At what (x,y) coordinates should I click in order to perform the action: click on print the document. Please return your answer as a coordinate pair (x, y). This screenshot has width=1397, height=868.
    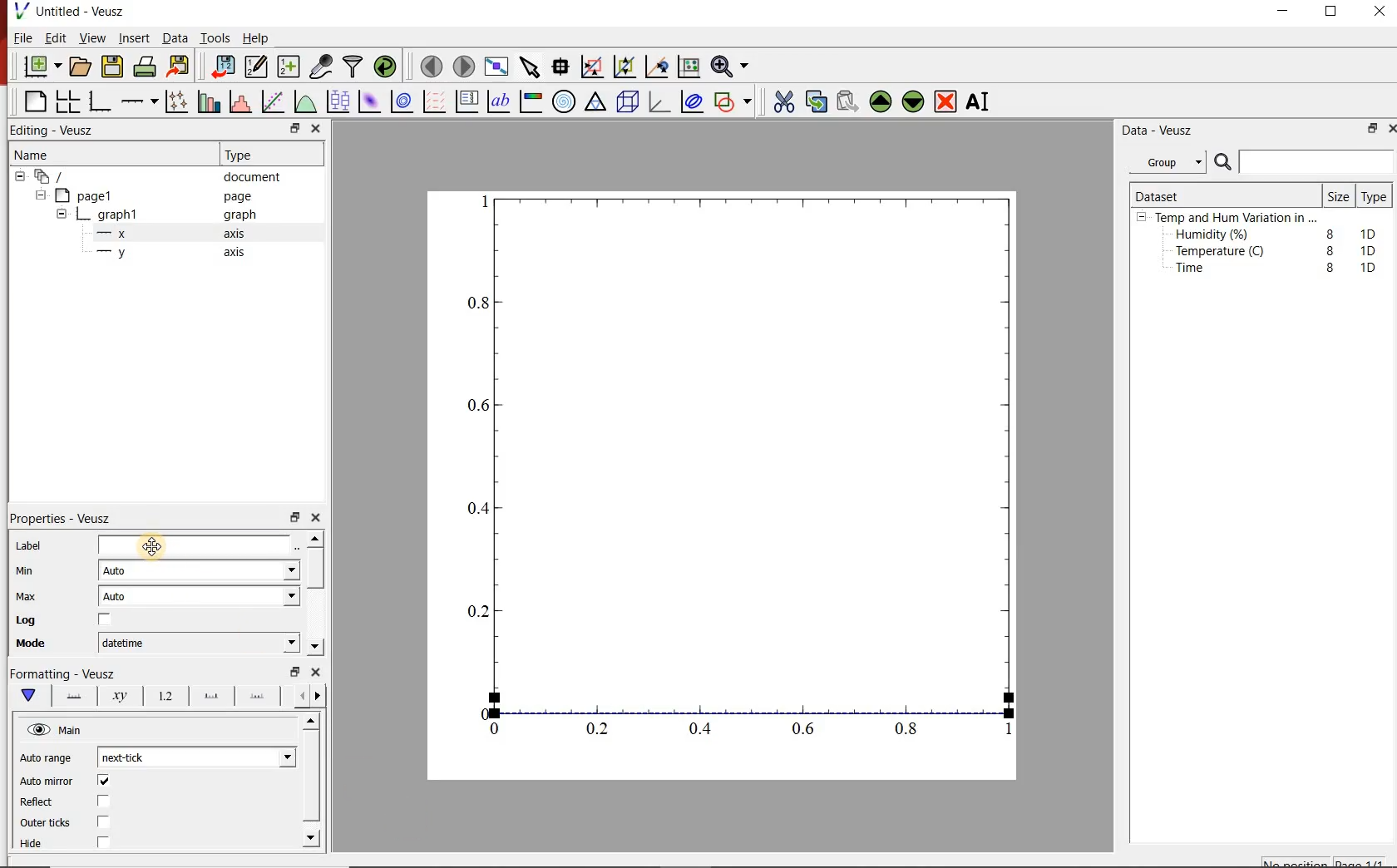
    Looking at the image, I should click on (146, 69).